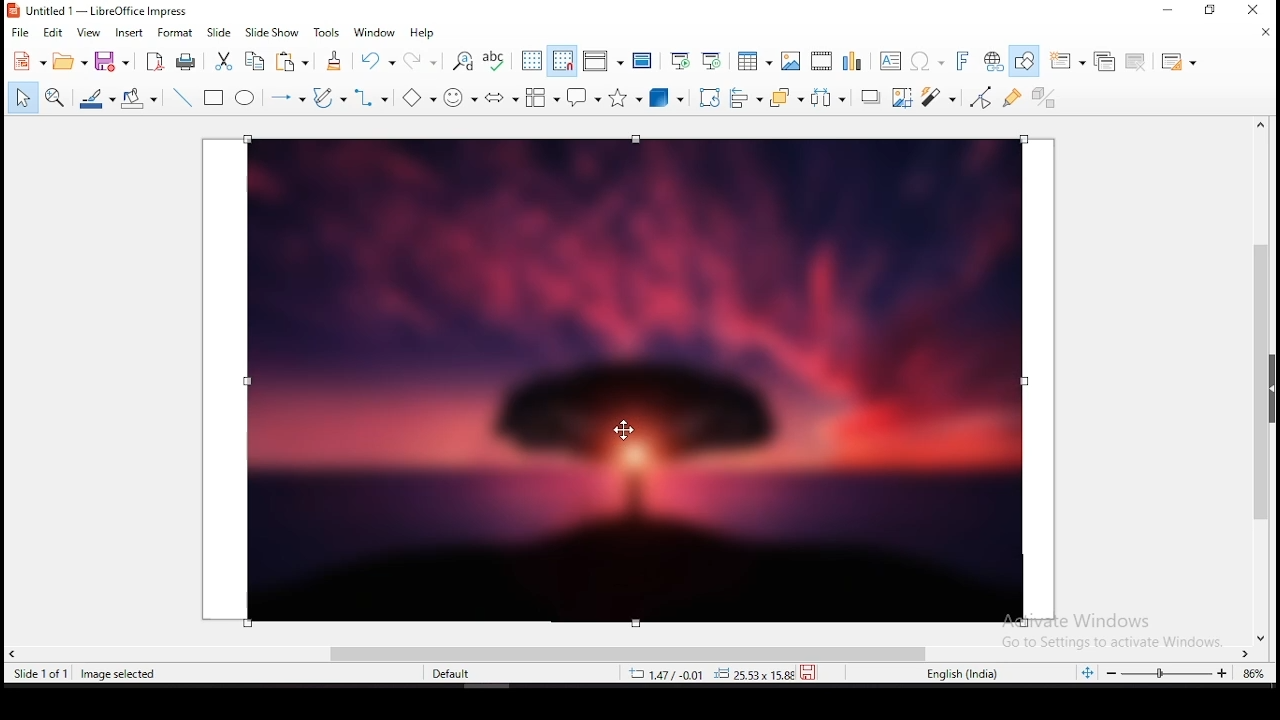  I want to click on redo, so click(421, 59).